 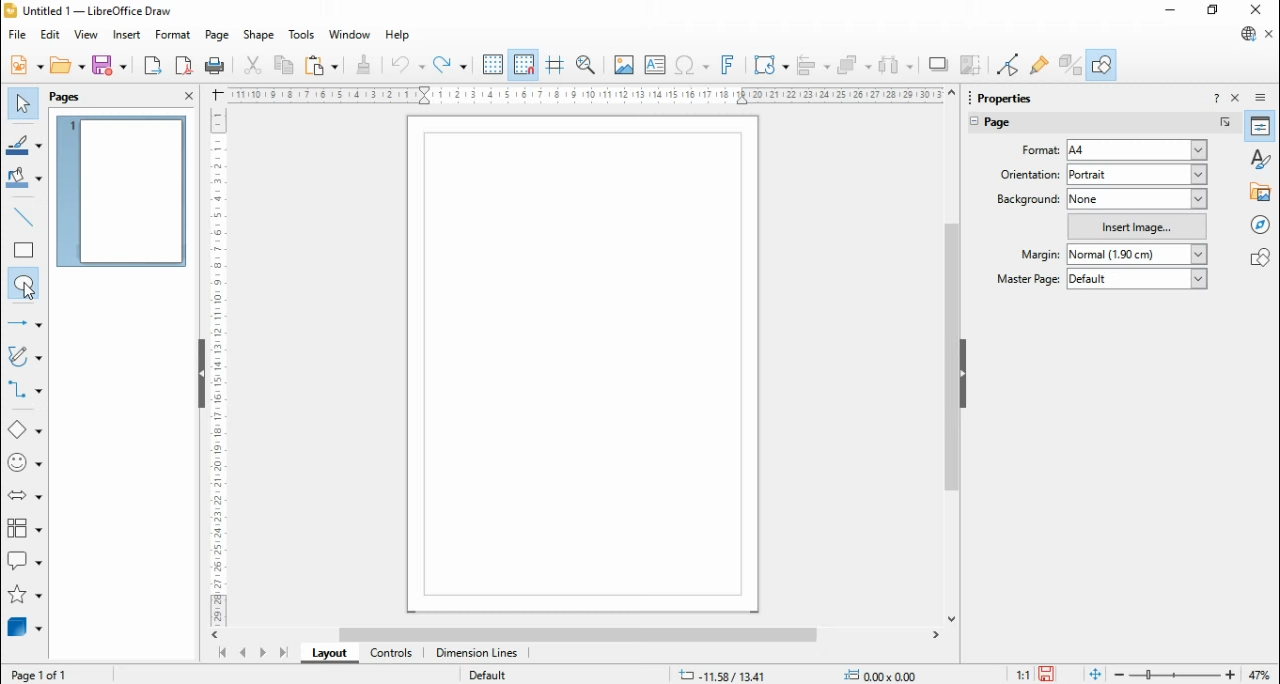 What do you see at coordinates (1024, 674) in the screenshot?
I see `11` at bounding box center [1024, 674].